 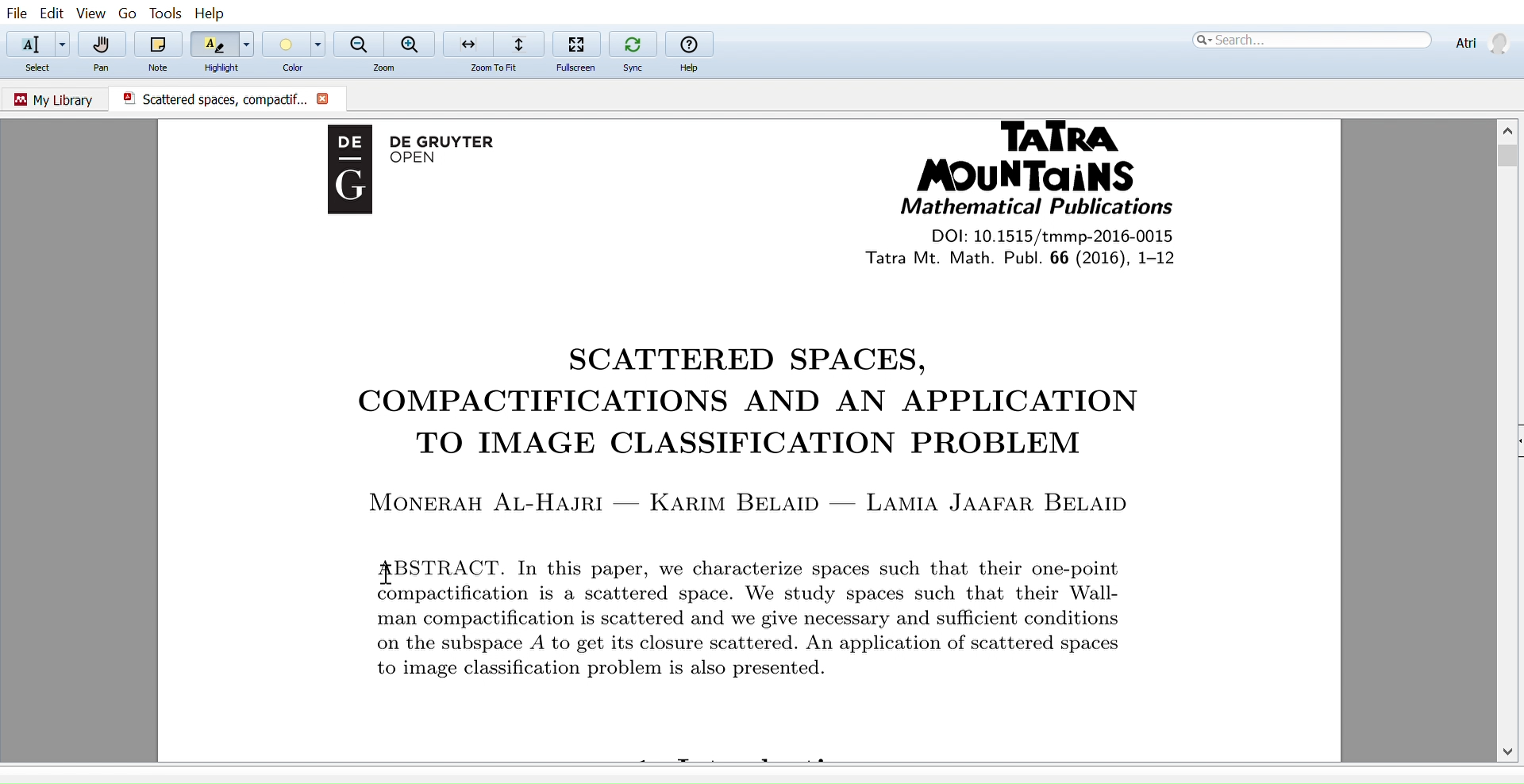 I want to click on Go to my library, so click(x=56, y=98).